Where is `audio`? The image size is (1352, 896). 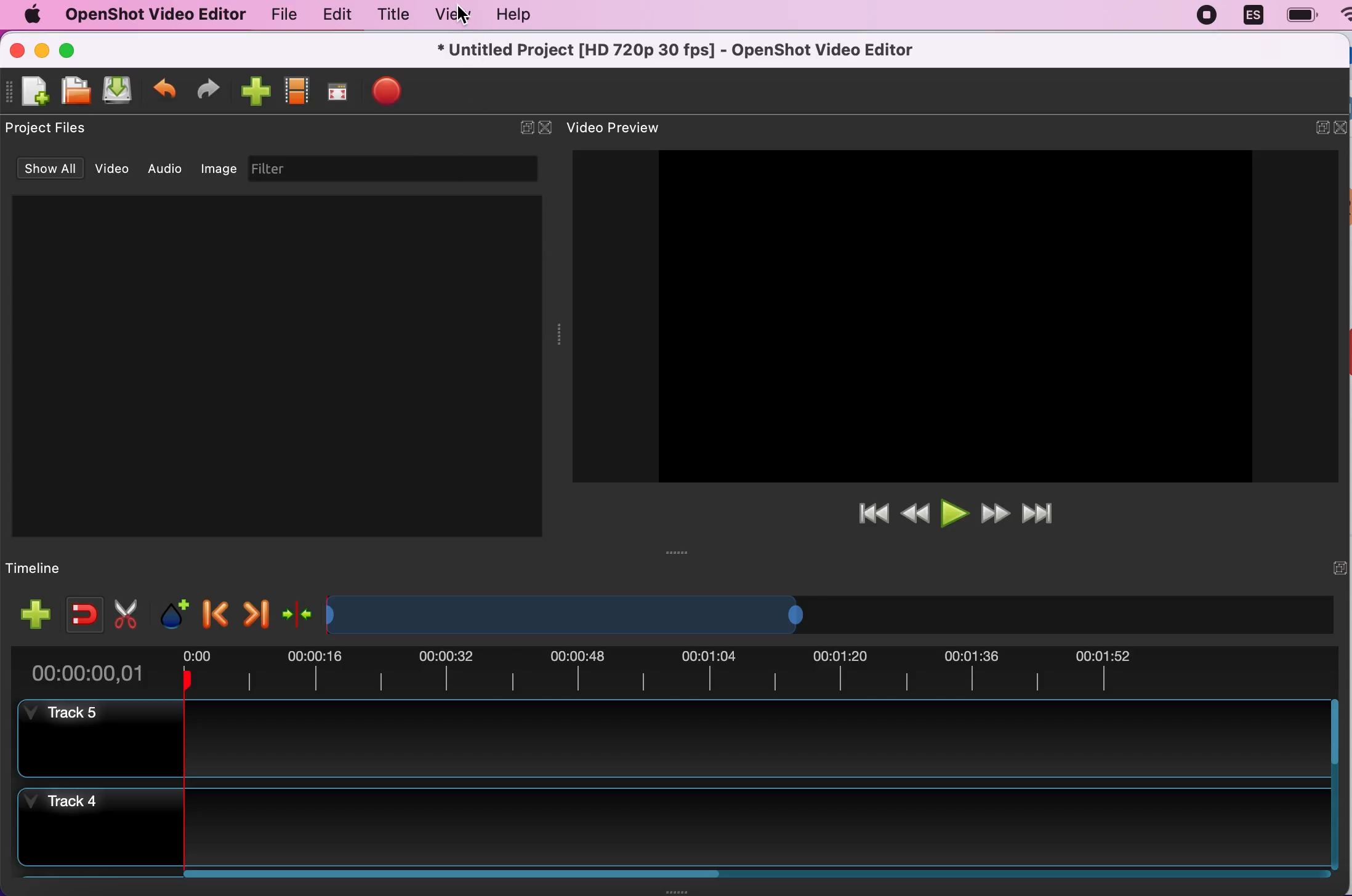
audio is located at coordinates (167, 167).